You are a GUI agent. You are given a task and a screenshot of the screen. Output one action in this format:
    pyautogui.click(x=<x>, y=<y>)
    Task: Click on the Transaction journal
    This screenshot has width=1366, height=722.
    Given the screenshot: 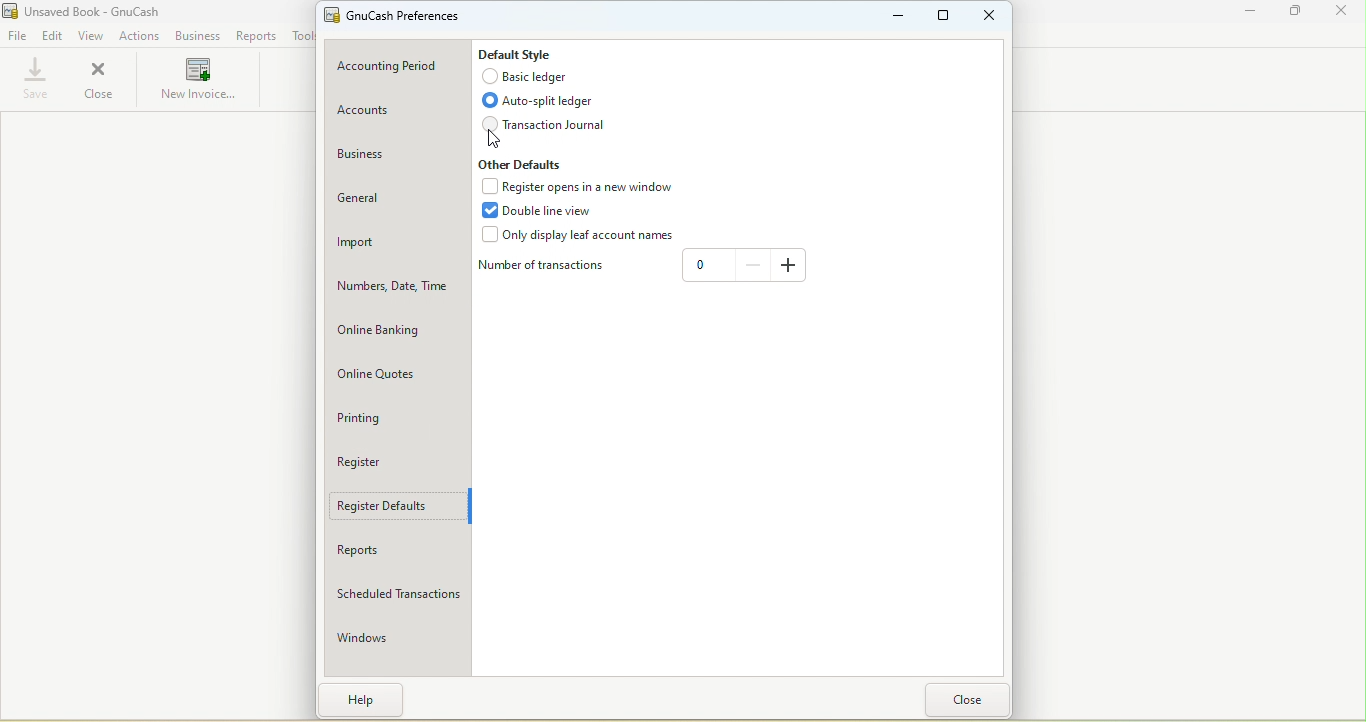 What is the action you would take?
    pyautogui.click(x=546, y=126)
    